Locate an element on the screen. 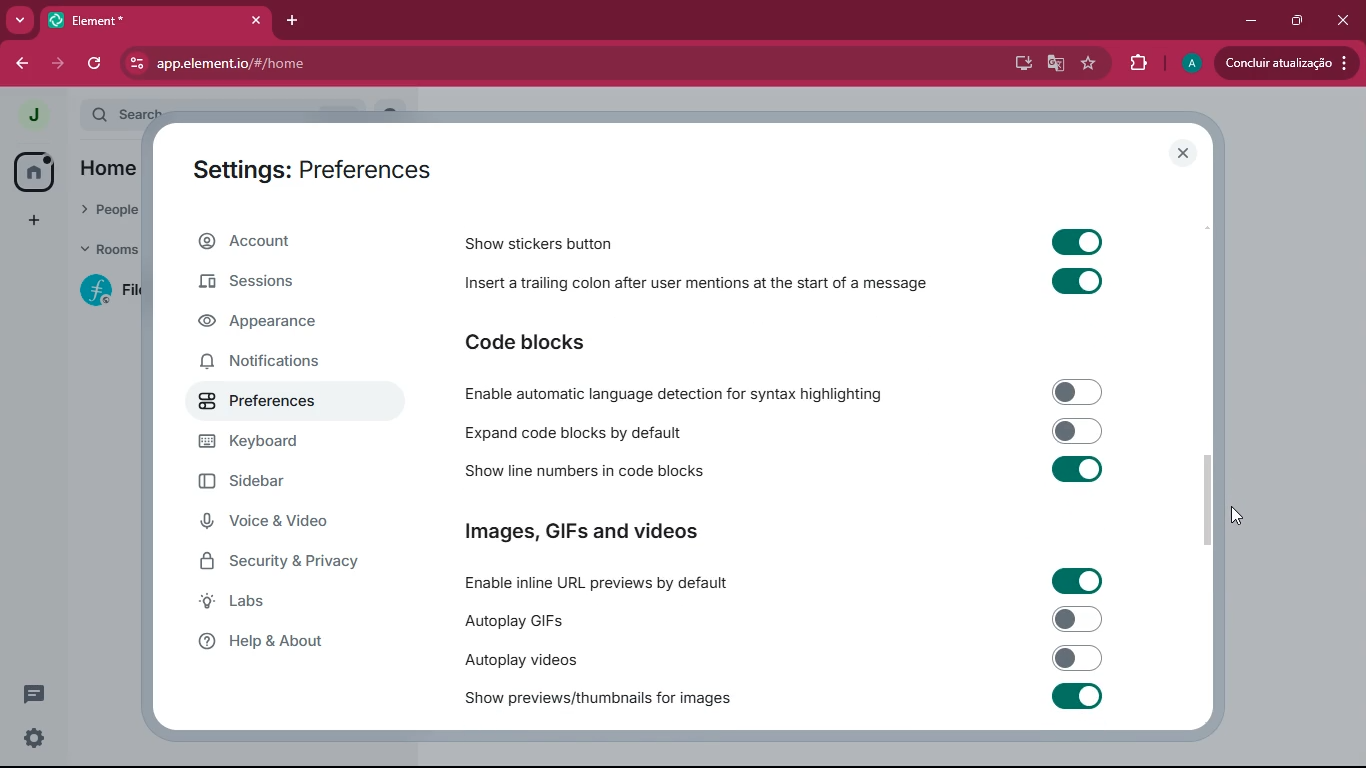 The width and height of the screenshot is (1366, 768). Settings: Preferences is located at coordinates (312, 172).